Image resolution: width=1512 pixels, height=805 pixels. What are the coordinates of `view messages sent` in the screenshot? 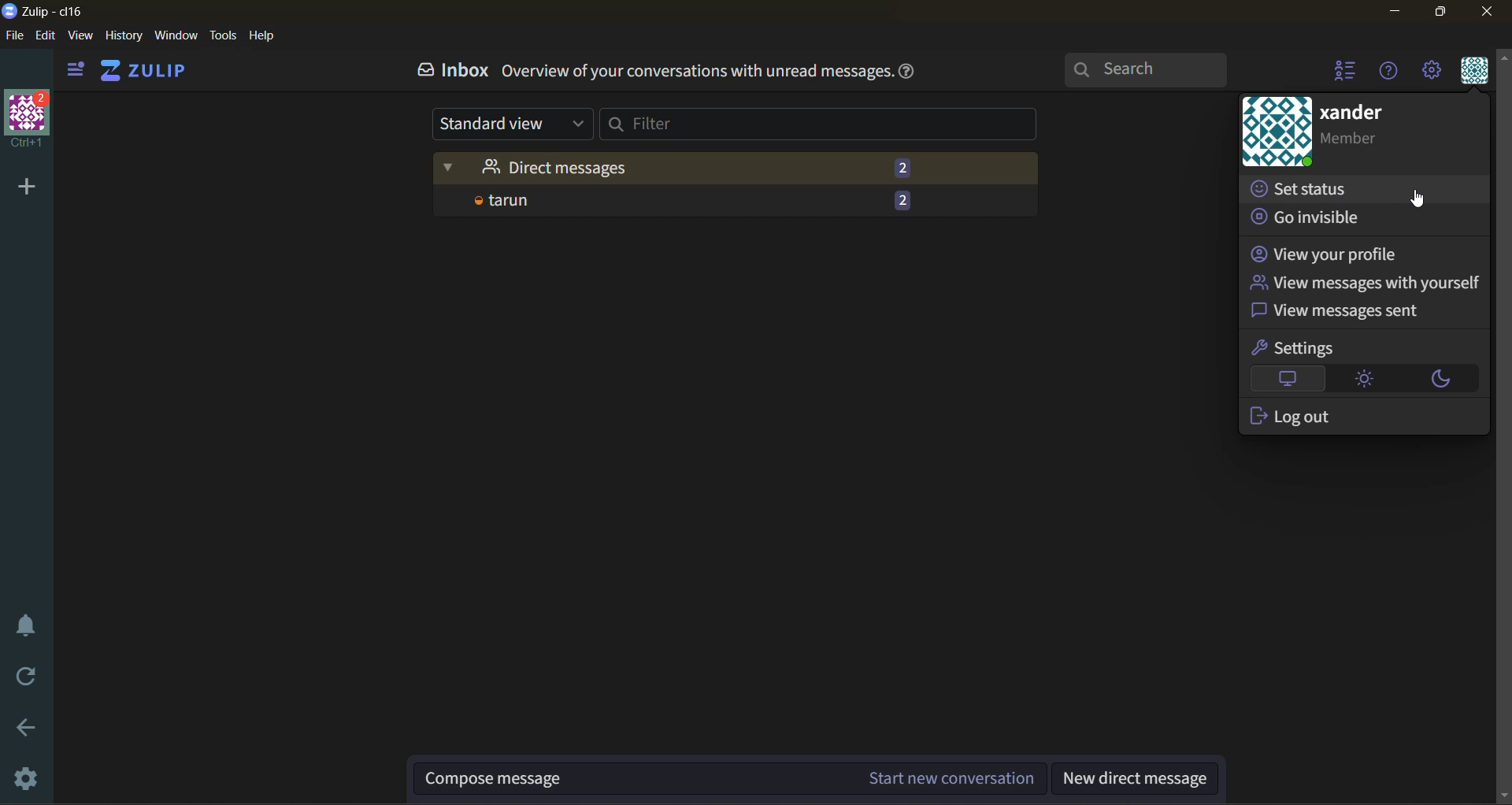 It's located at (1340, 310).